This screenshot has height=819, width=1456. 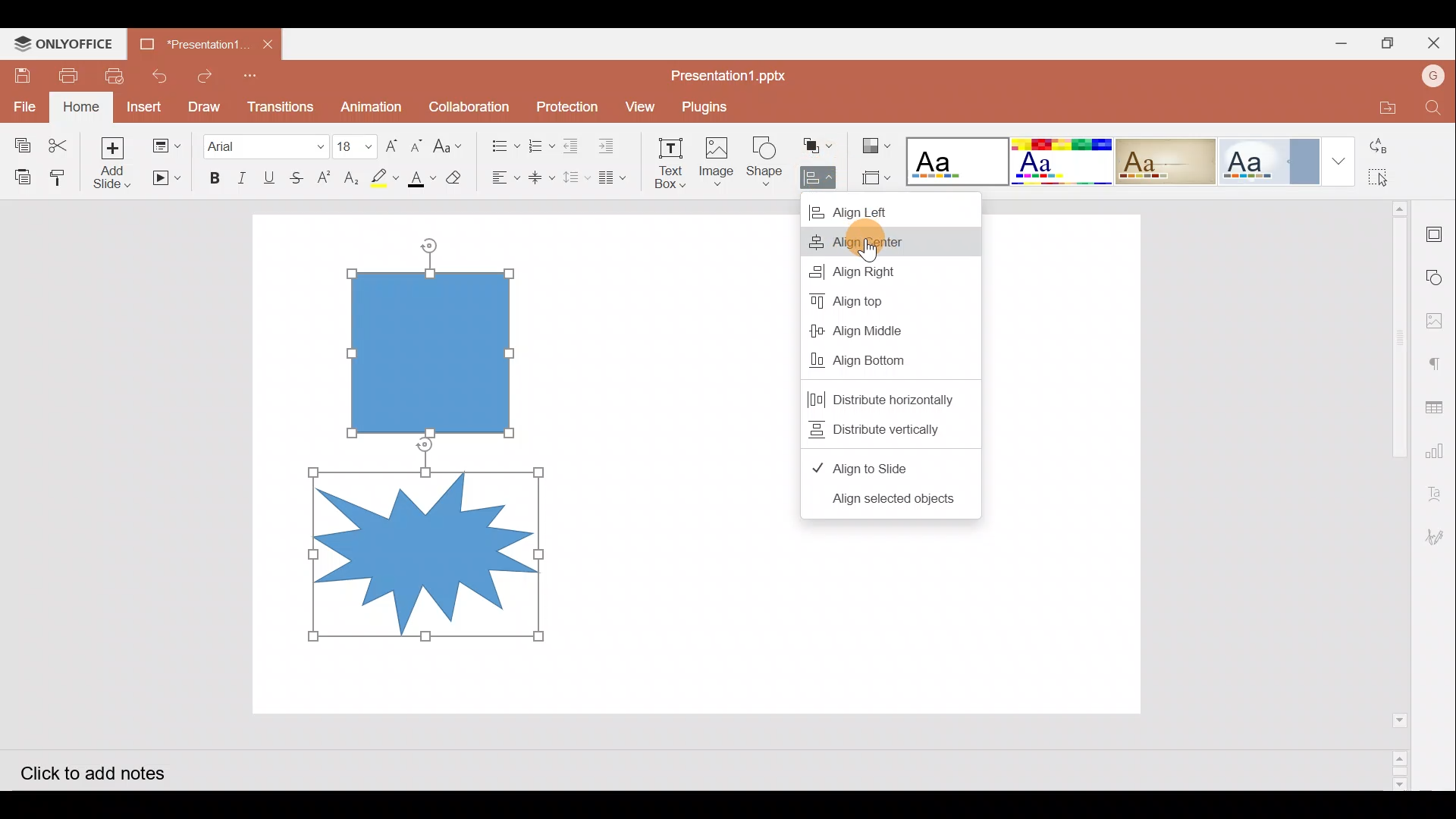 I want to click on Start slideshow, so click(x=165, y=178).